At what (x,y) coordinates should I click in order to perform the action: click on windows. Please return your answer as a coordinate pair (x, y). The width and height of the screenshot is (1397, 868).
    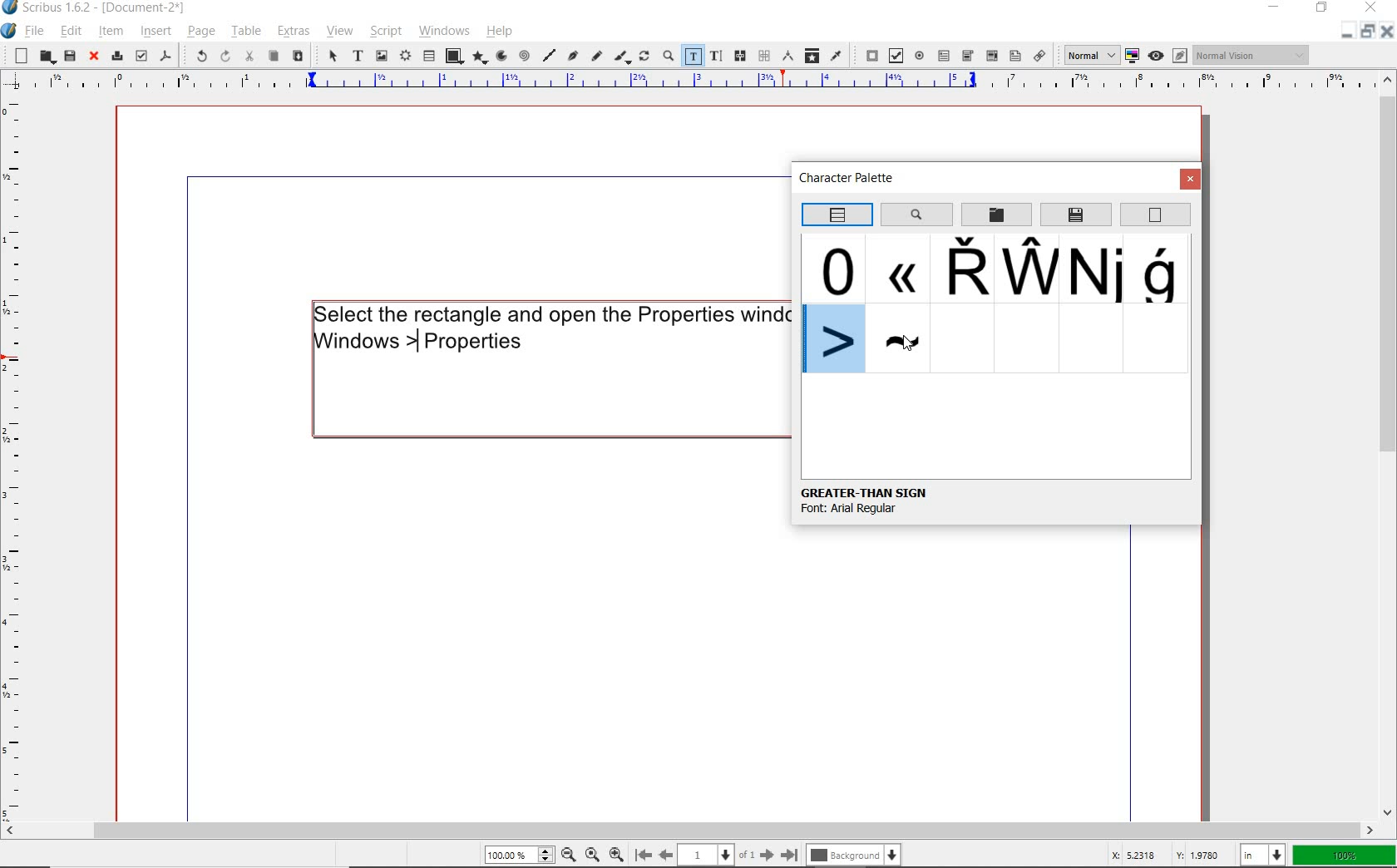
    Looking at the image, I should click on (444, 31).